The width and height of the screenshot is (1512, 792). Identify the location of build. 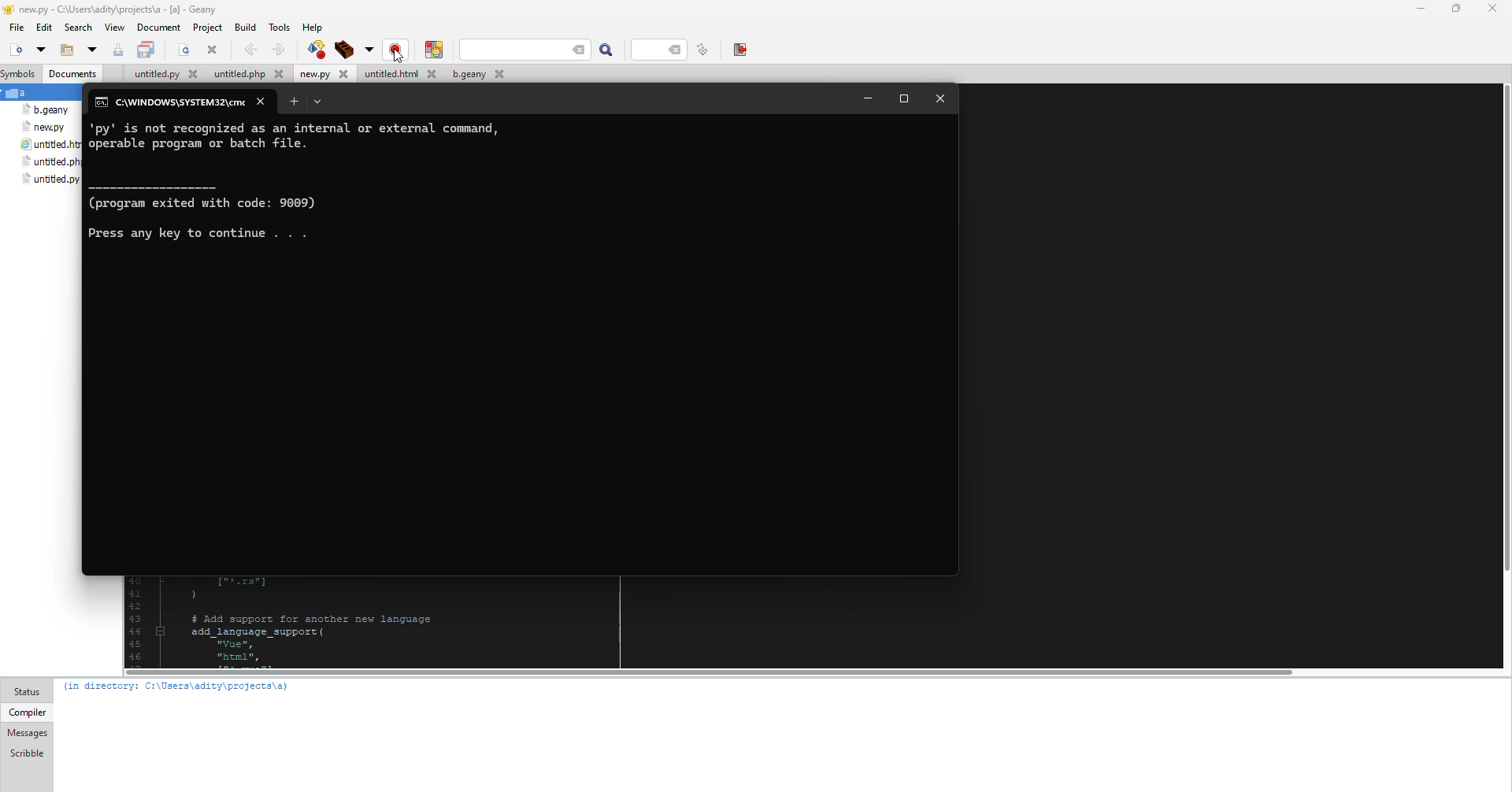
(246, 28).